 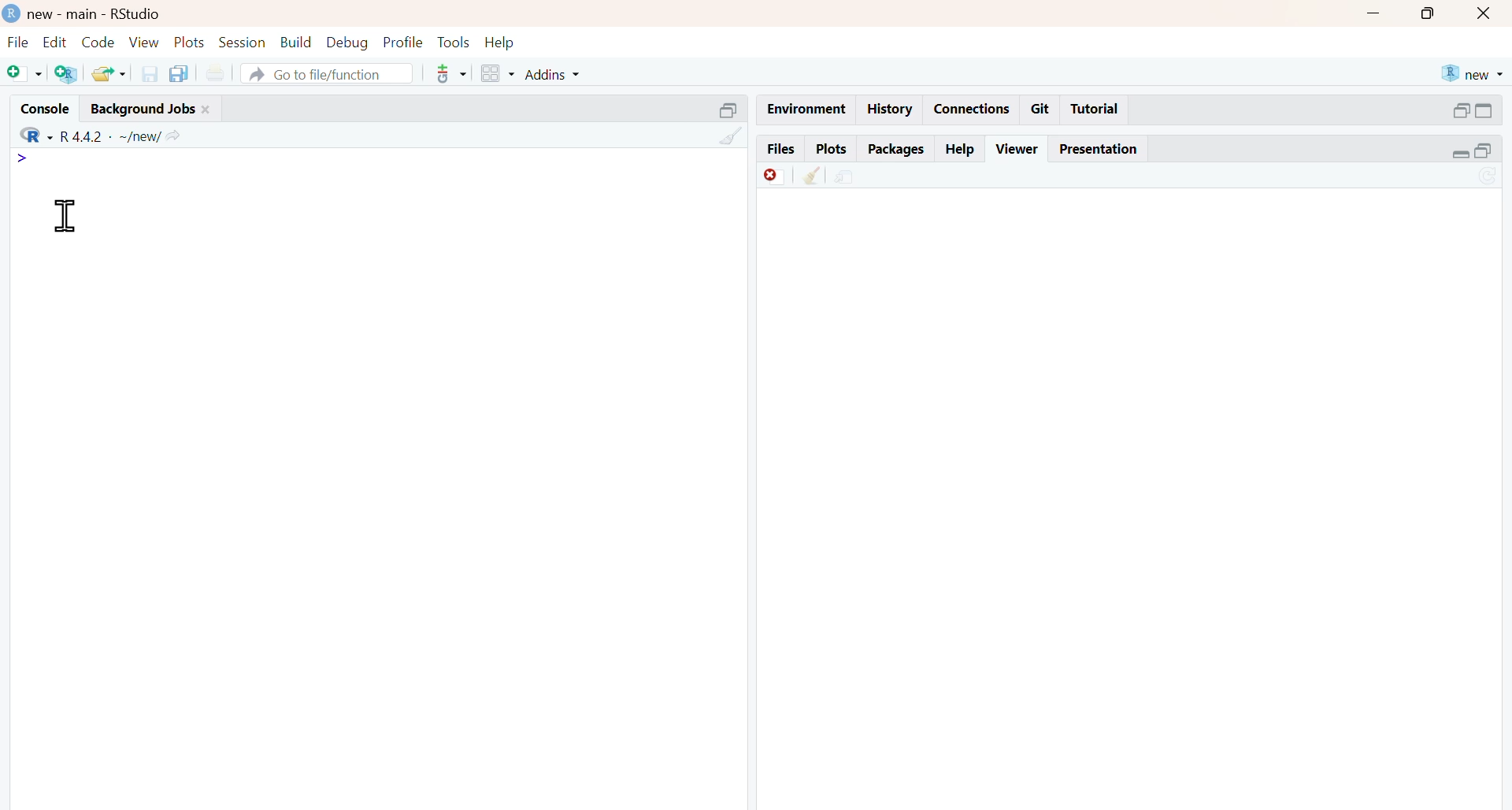 What do you see at coordinates (1485, 110) in the screenshot?
I see `expand/collapse` at bounding box center [1485, 110].